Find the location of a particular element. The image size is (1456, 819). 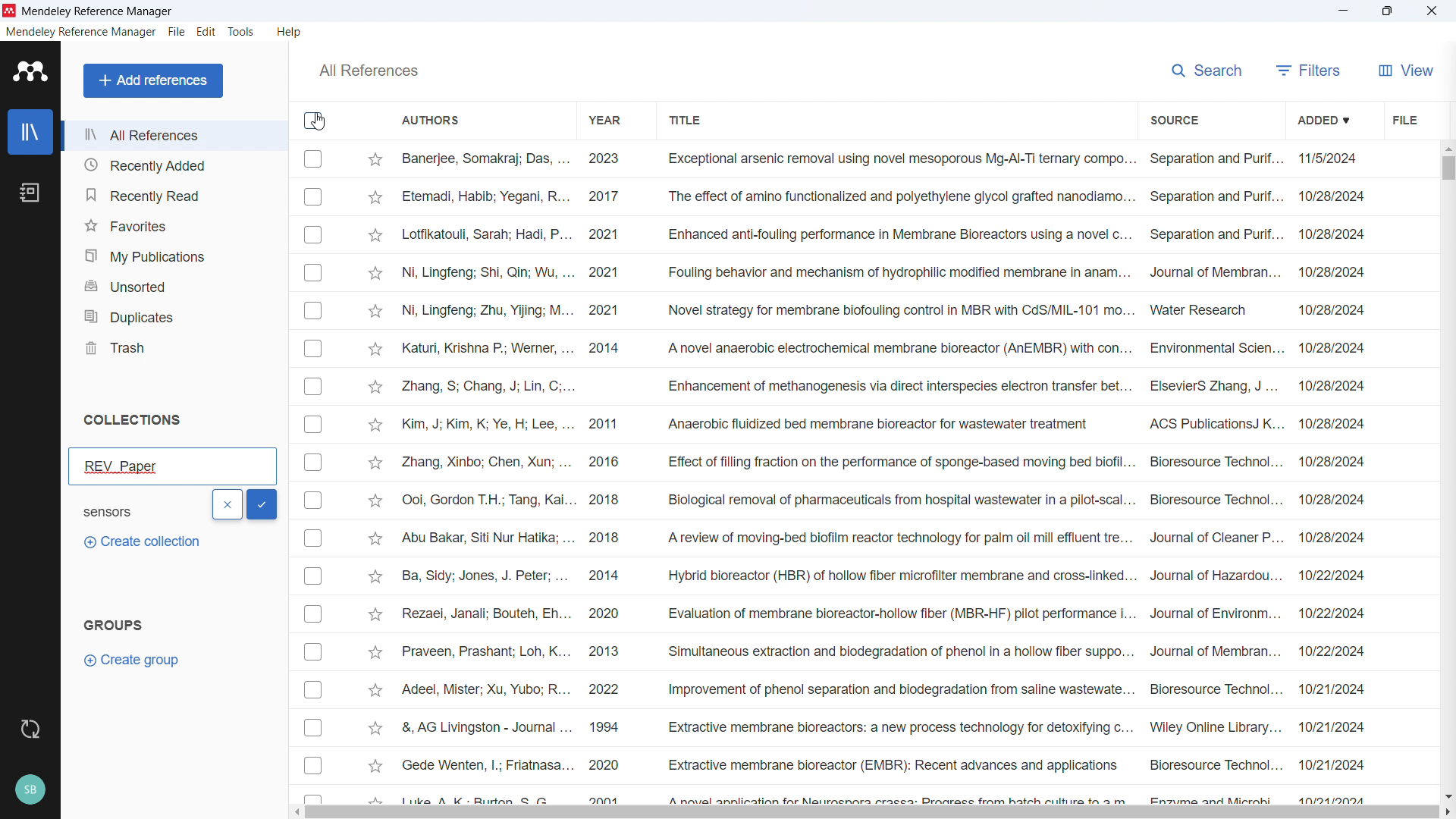

File  is located at coordinates (177, 31).